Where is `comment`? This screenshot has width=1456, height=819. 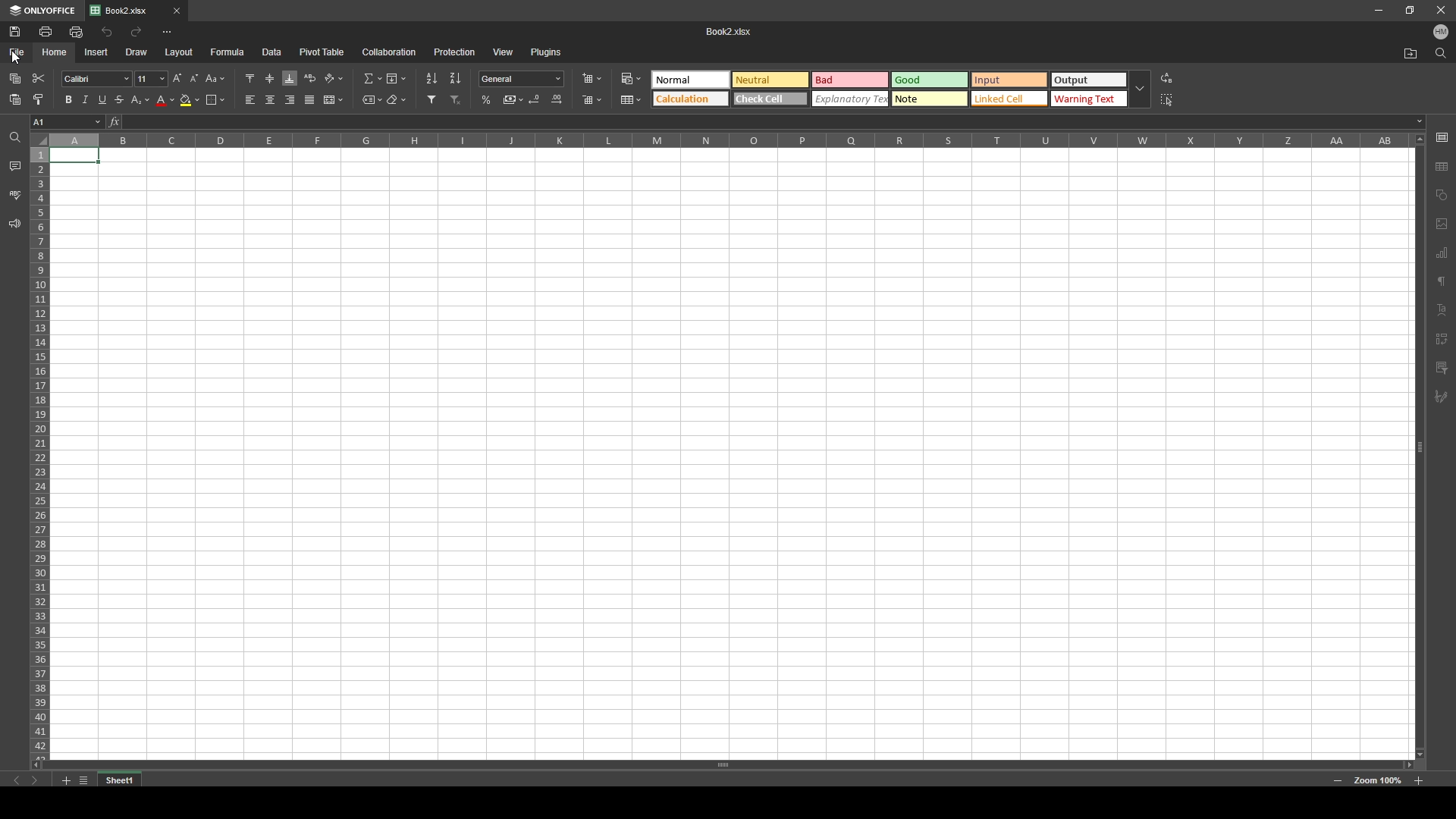 comment is located at coordinates (15, 168).